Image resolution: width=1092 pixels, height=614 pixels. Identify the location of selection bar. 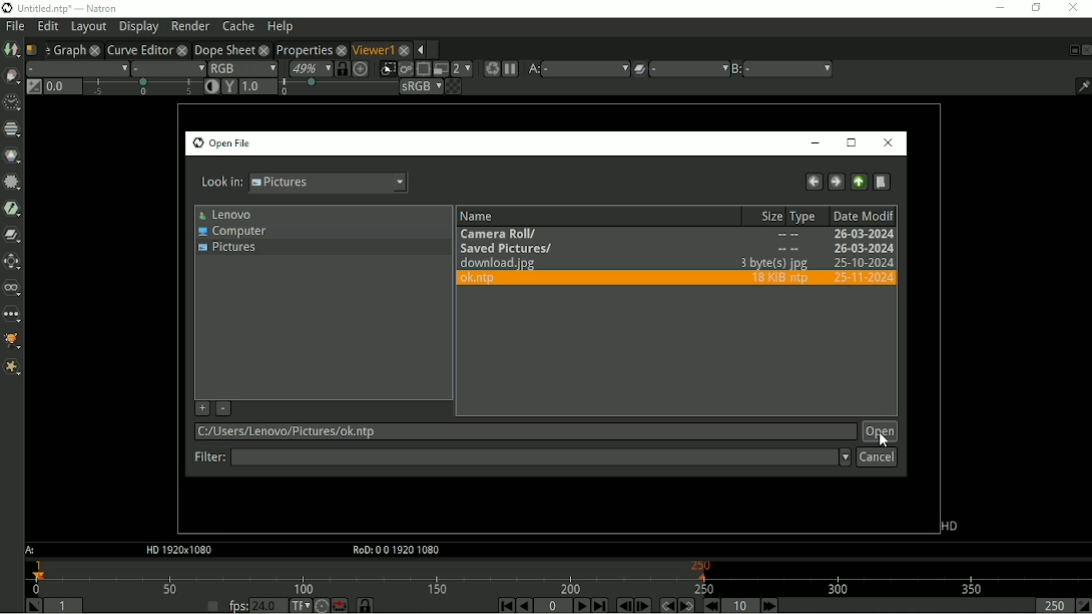
(142, 88).